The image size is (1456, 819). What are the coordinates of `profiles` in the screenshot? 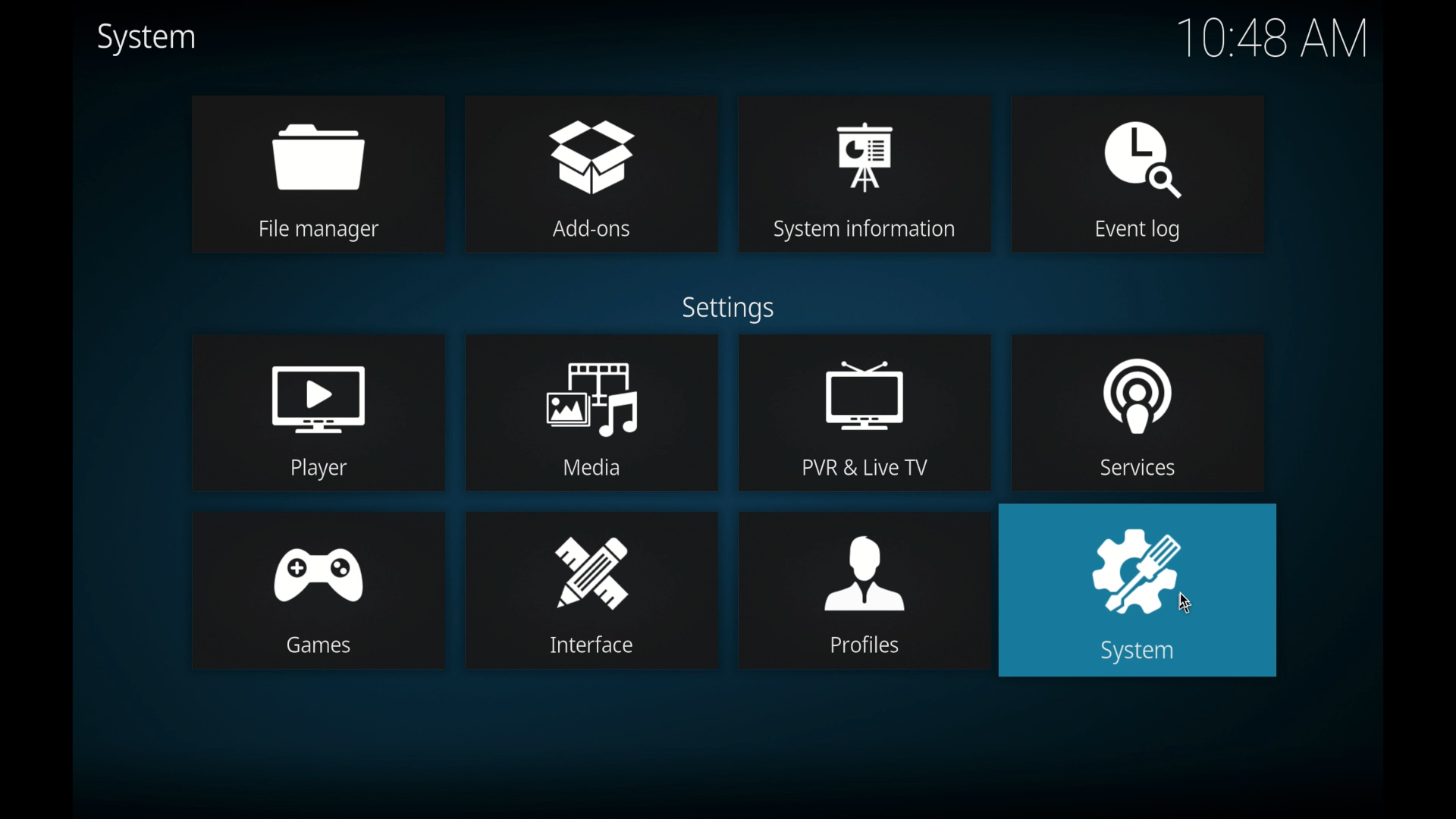 It's located at (864, 591).